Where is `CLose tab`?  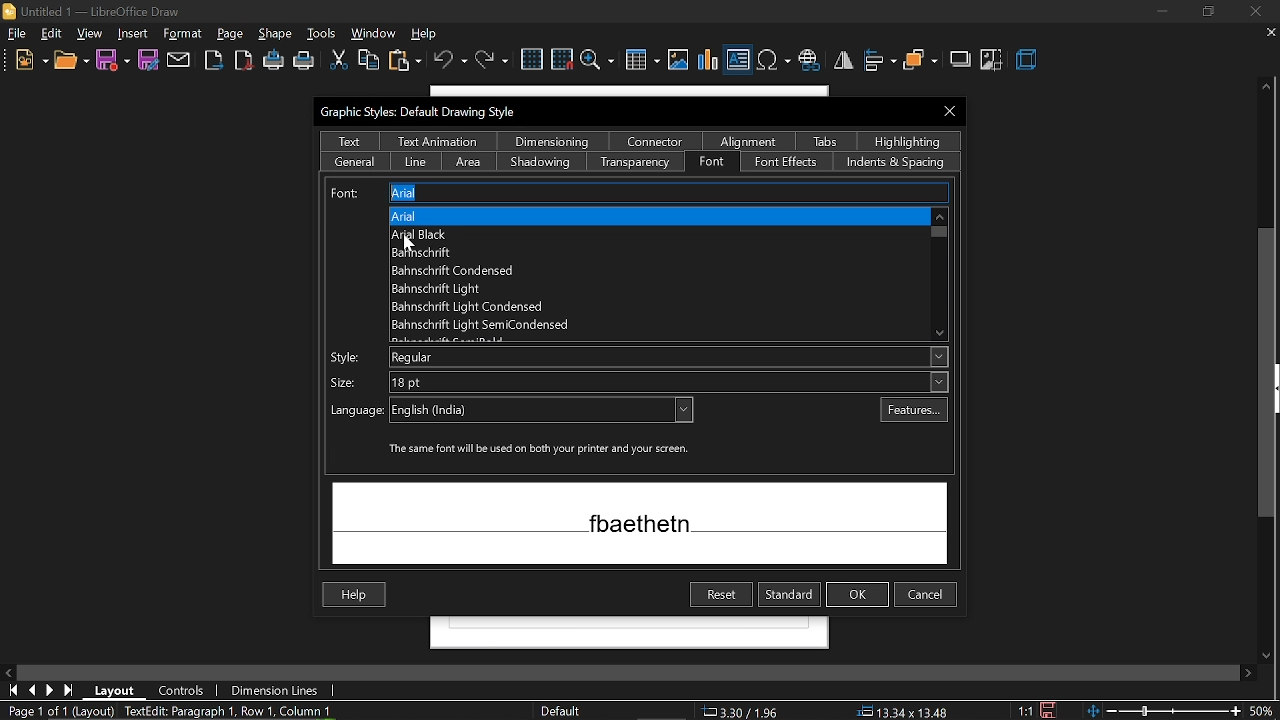 CLose tab is located at coordinates (1270, 33).